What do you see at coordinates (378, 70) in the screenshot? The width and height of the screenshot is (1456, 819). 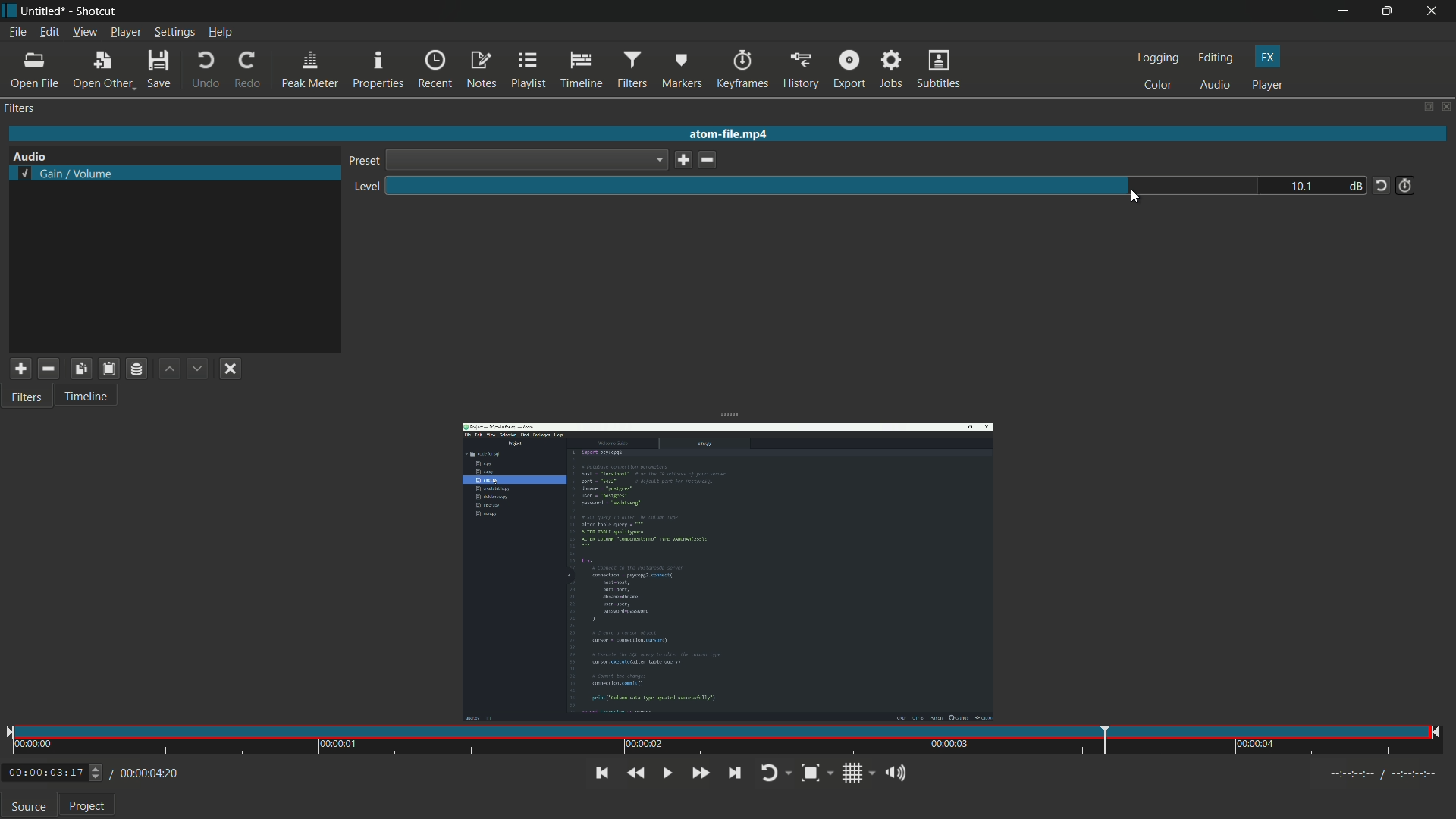 I see `properties` at bounding box center [378, 70].